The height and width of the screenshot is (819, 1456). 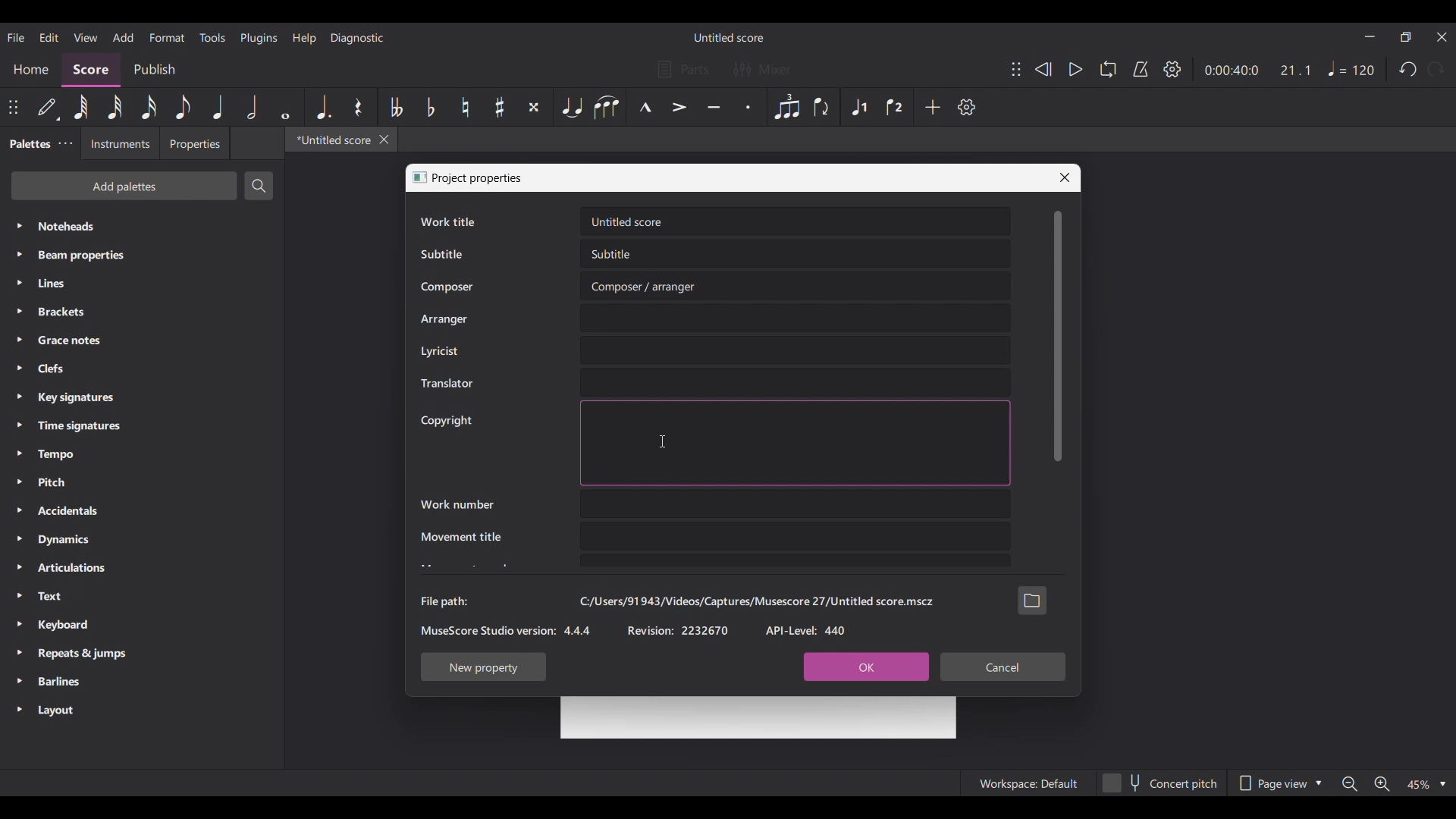 What do you see at coordinates (142, 540) in the screenshot?
I see `Dynamics` at bounding box center [142, 540].